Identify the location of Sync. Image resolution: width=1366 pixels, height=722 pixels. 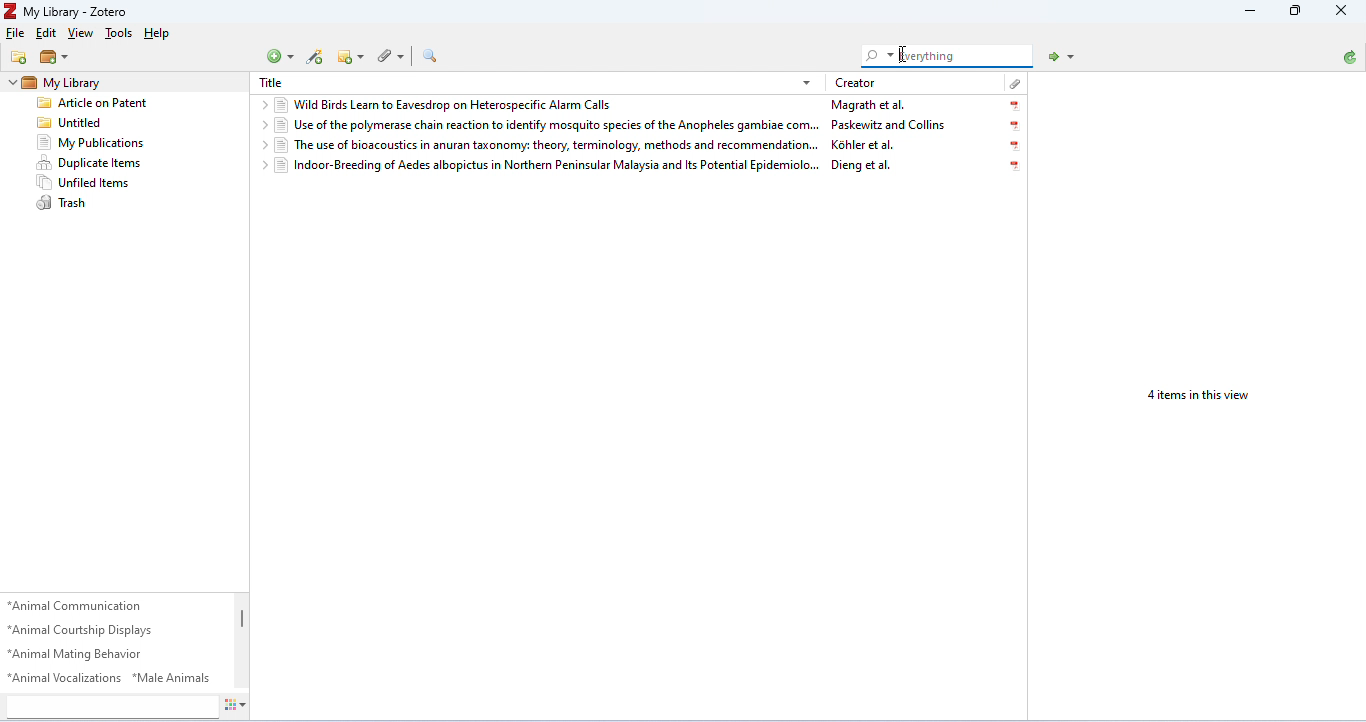
(1351, 58).